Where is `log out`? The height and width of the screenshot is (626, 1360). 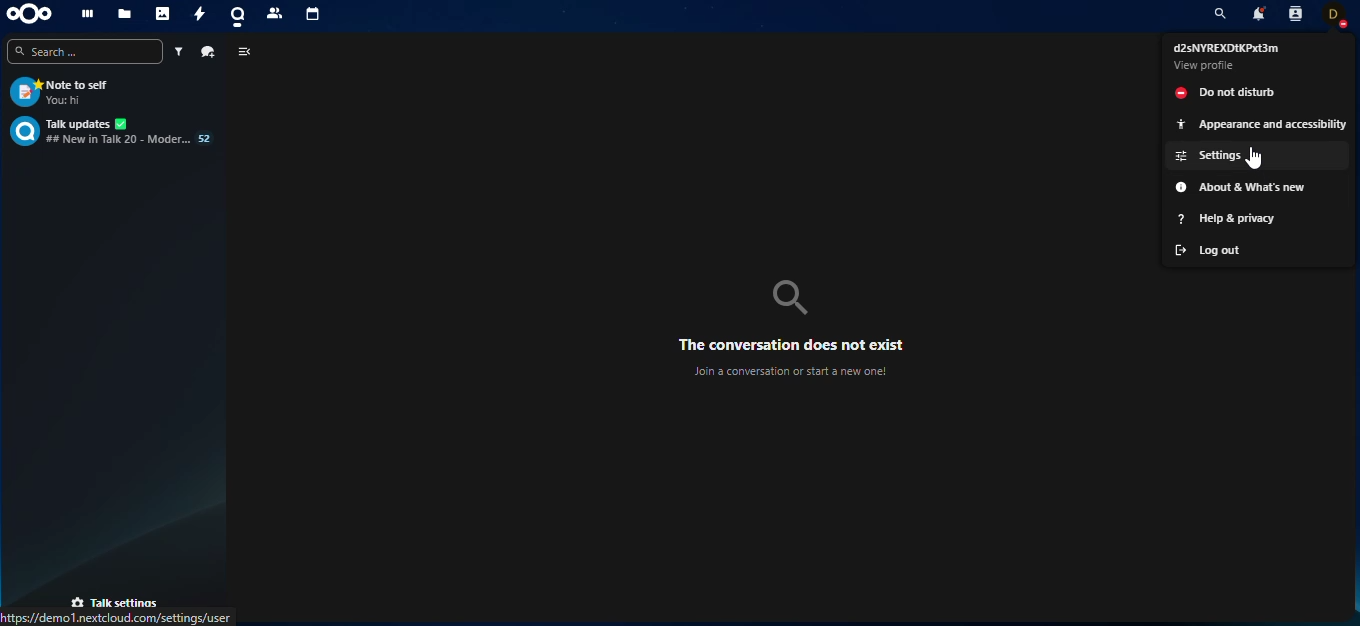 log out is located at coordinates (1257, 249).